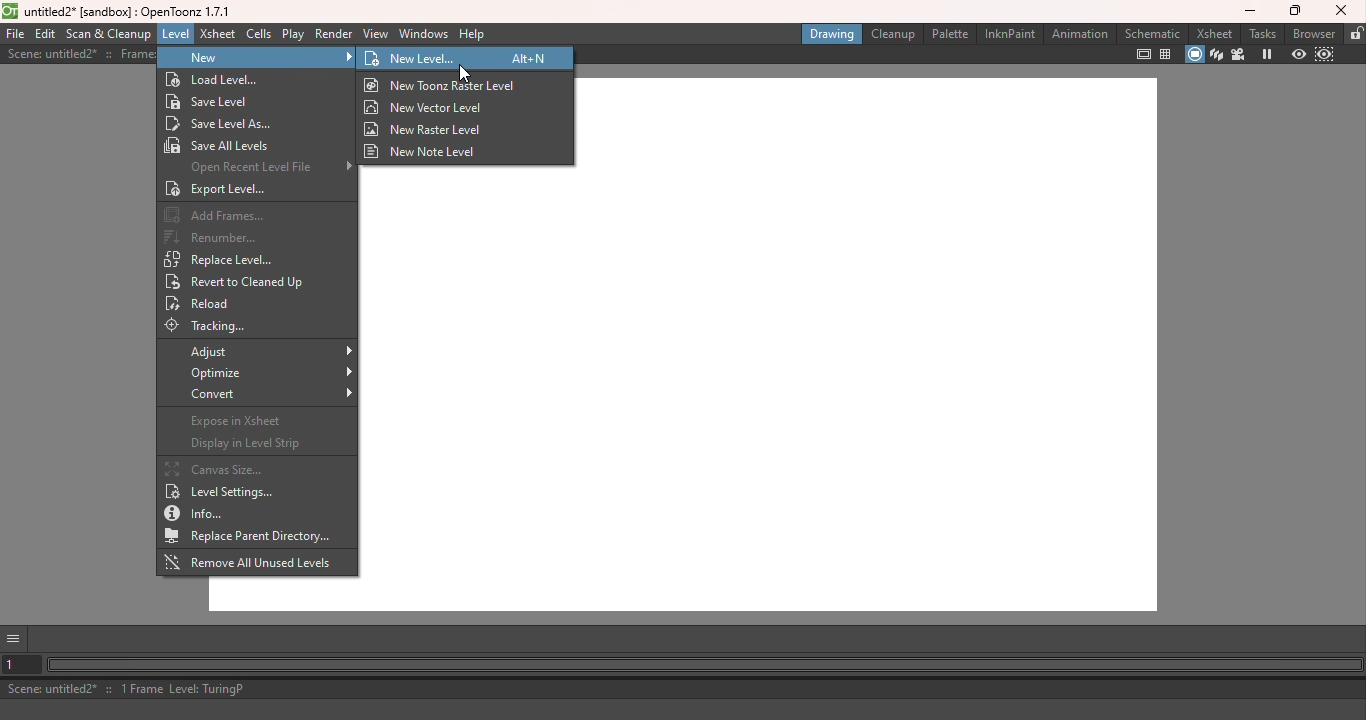  Describe the element at coordinates (217, 215) in the screenshot. I see `Add frames` at that location.